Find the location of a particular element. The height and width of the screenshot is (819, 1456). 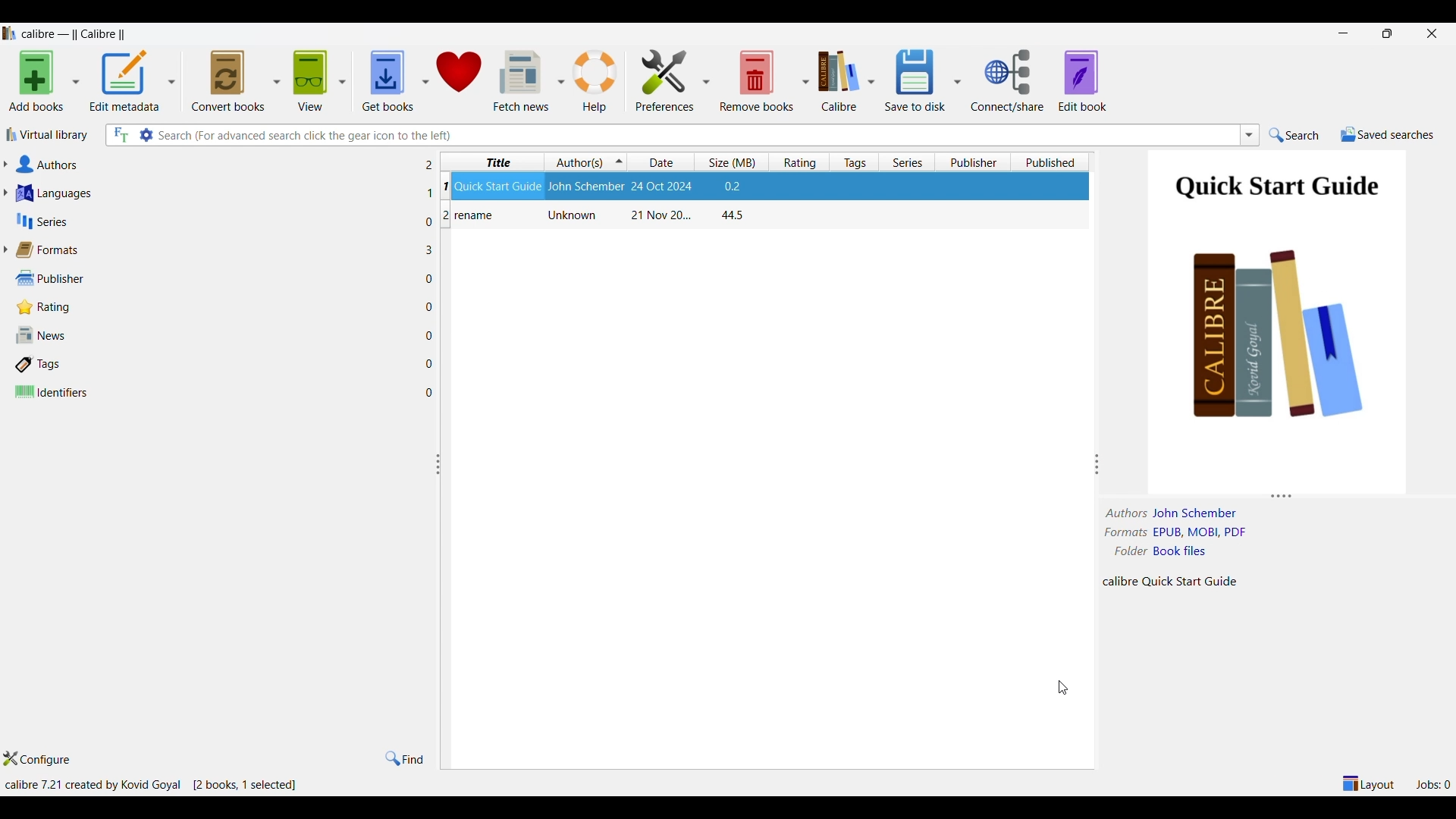

Type in searches is located at coordinates (696, 136).